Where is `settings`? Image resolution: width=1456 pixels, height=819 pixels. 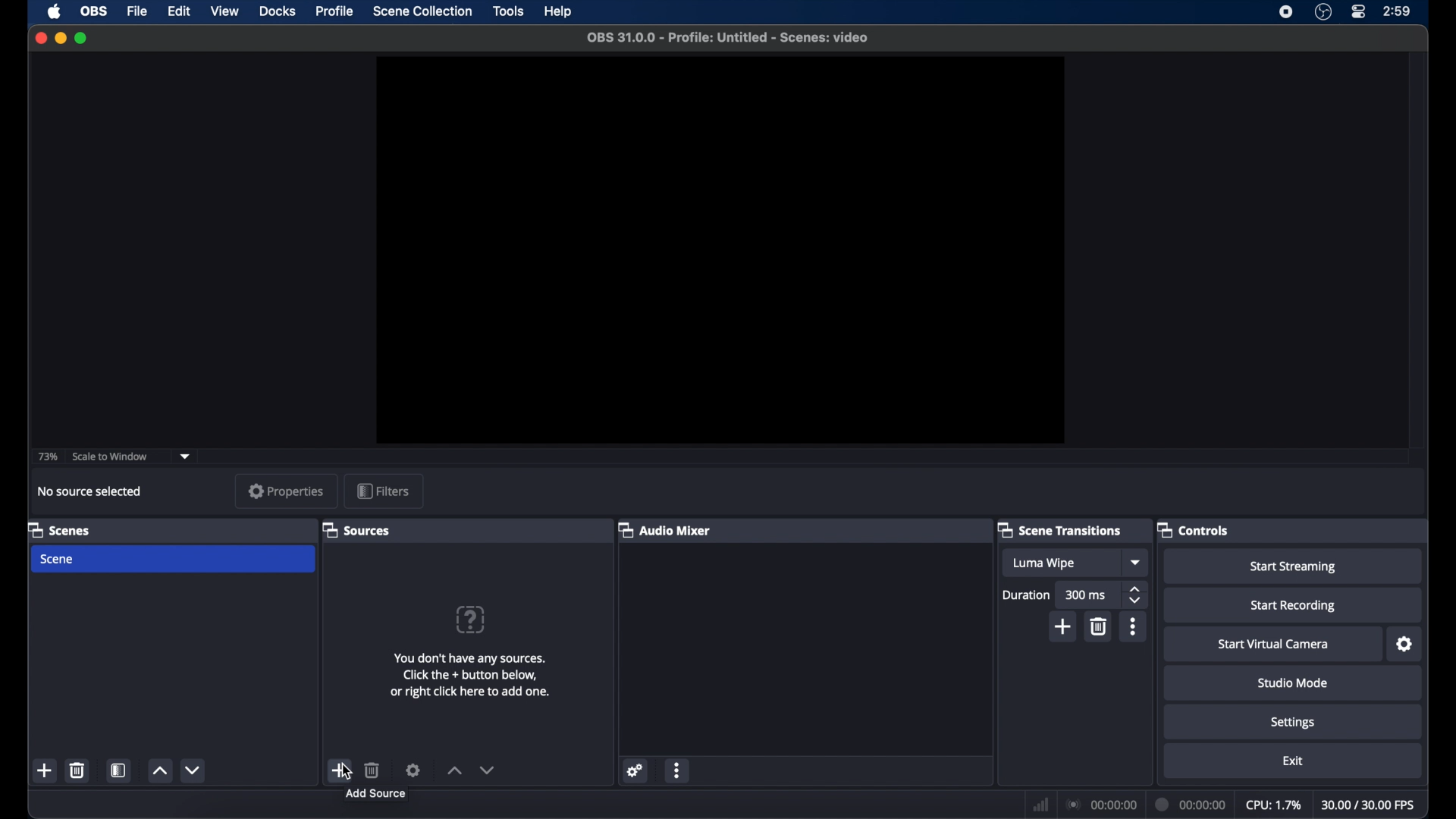
settings is located at coordinates (1293, 723).